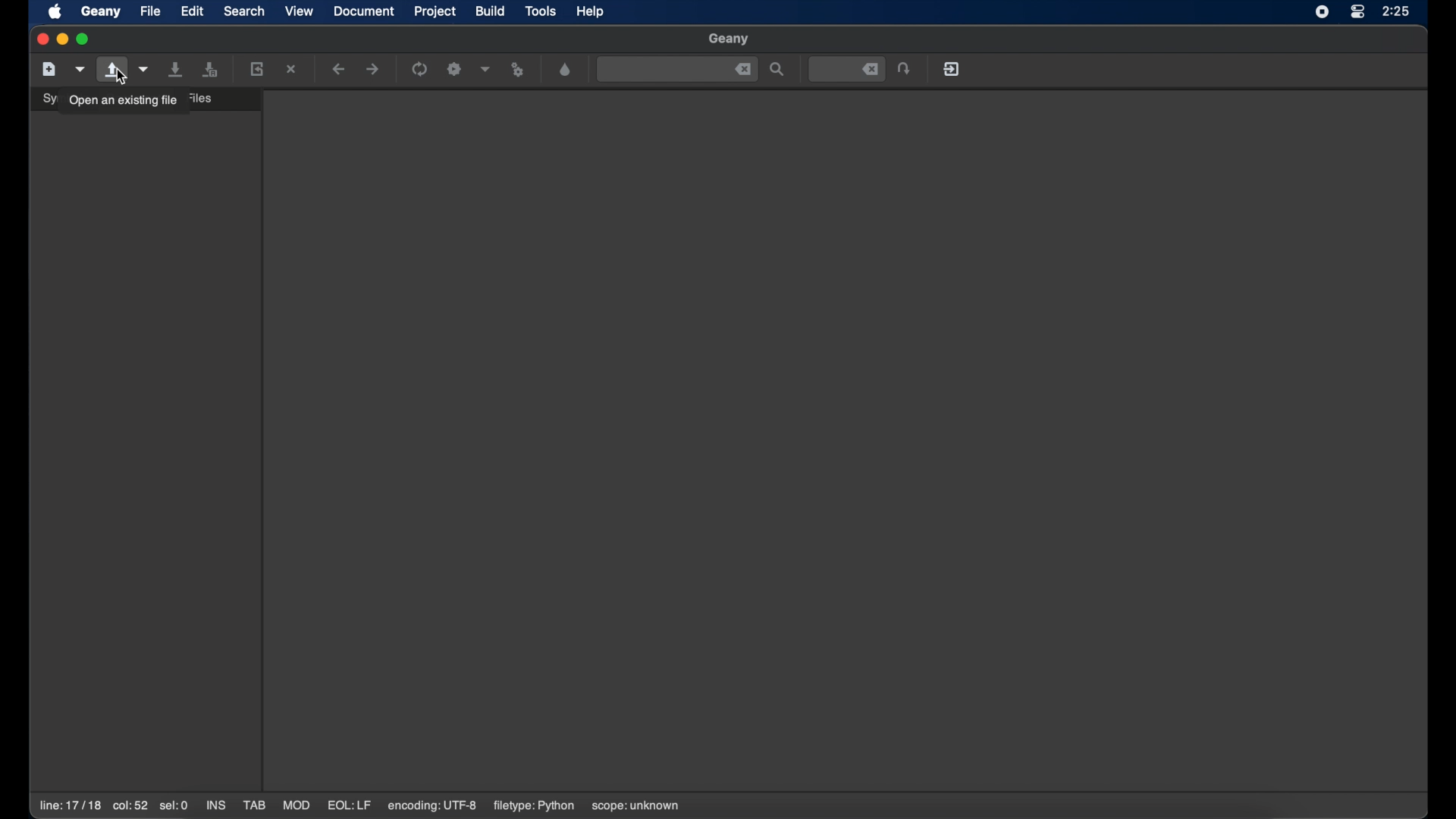  Describe the element at coordinates (422, 69) in the screenshot. I see `compile the current file` at that location.